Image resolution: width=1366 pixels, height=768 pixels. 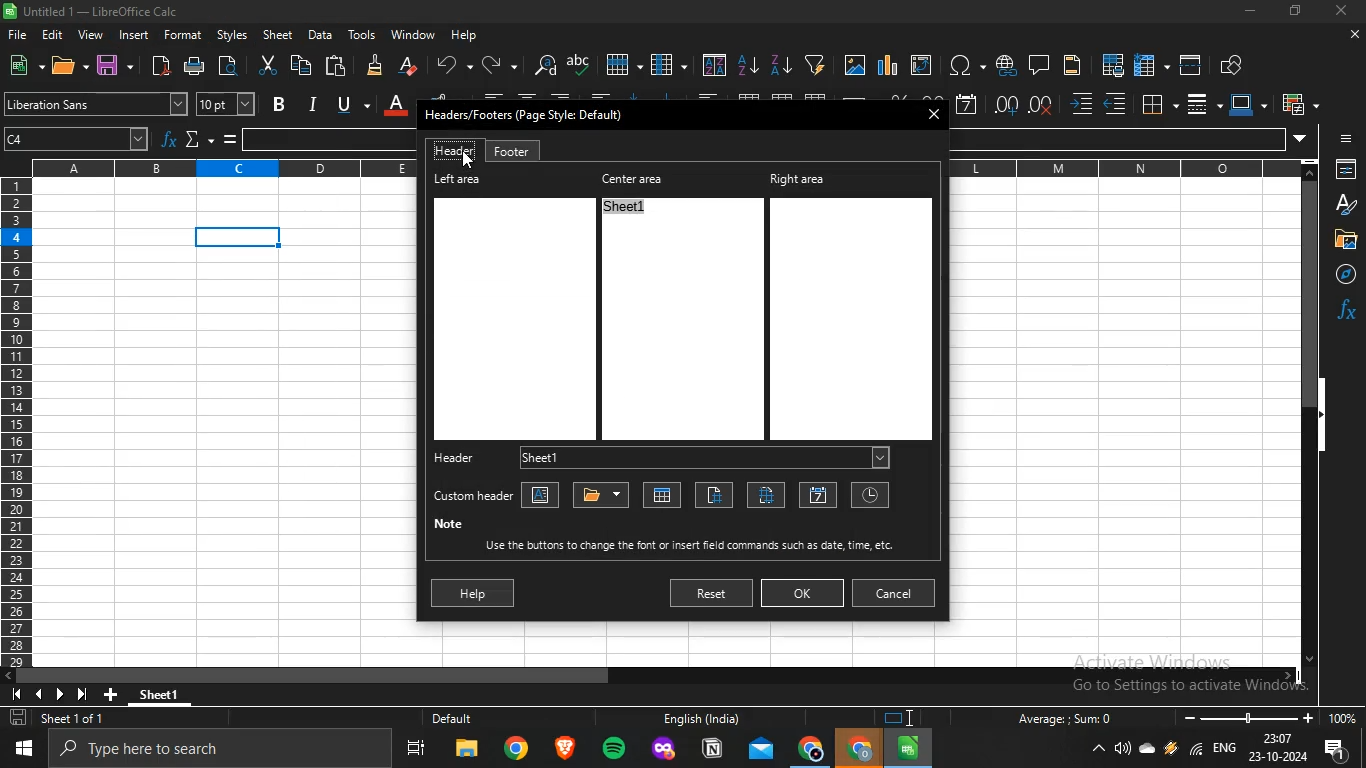 I want to click on volume, so click(x=1123, y=749).